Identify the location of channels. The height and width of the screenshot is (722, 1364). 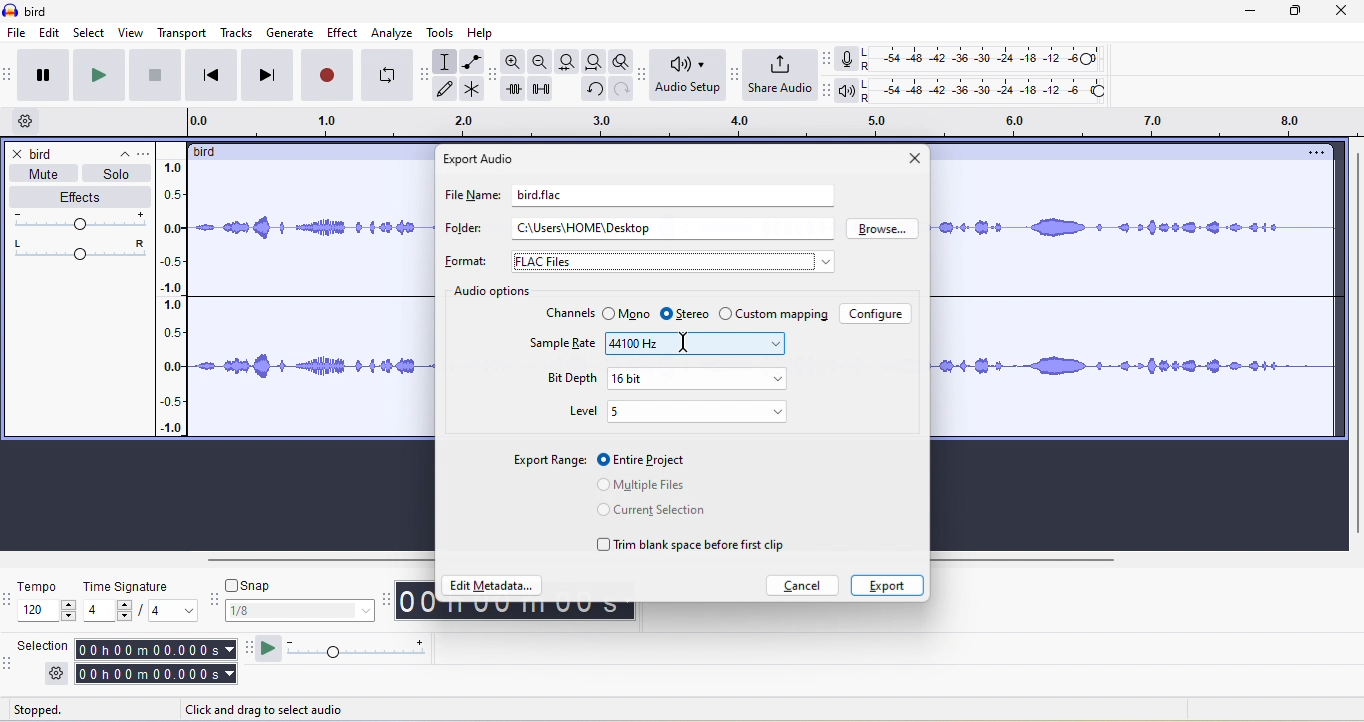
(571, 312).